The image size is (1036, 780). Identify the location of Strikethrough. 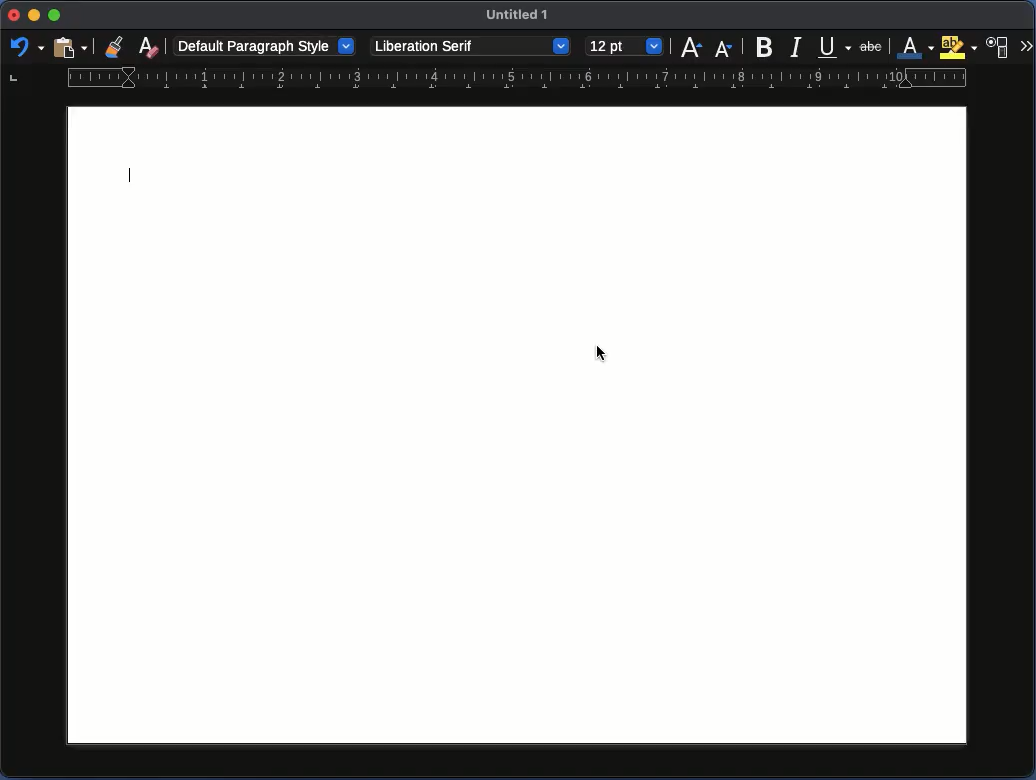
(873, 45).